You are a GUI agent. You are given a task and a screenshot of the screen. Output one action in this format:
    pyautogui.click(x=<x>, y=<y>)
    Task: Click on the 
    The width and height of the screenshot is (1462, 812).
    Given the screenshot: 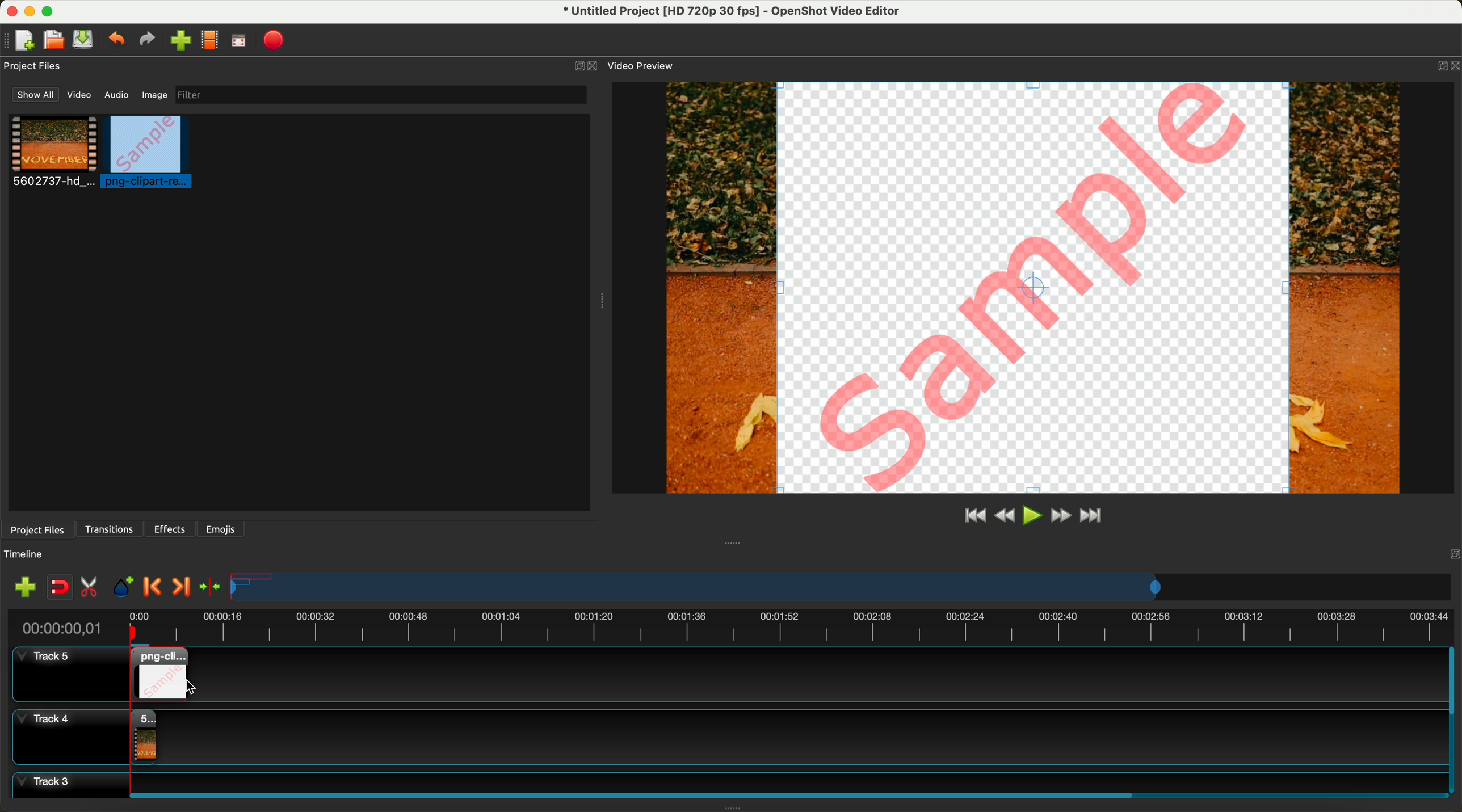 What is the action you would take?
    pyautogui.click(x=1451, y=553)
    